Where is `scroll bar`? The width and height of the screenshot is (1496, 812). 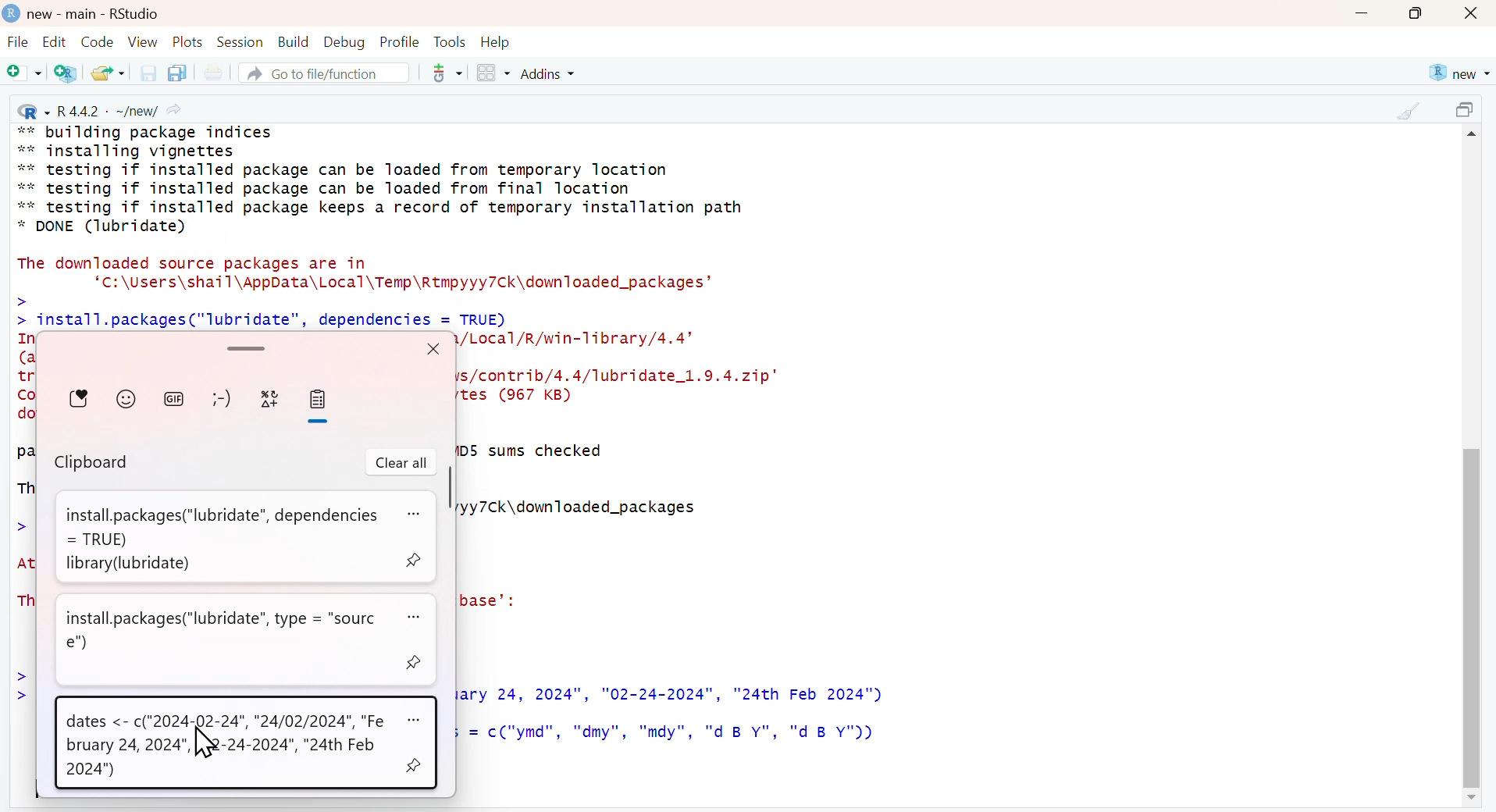 scroll bar is located at coordinates (1471, 612).